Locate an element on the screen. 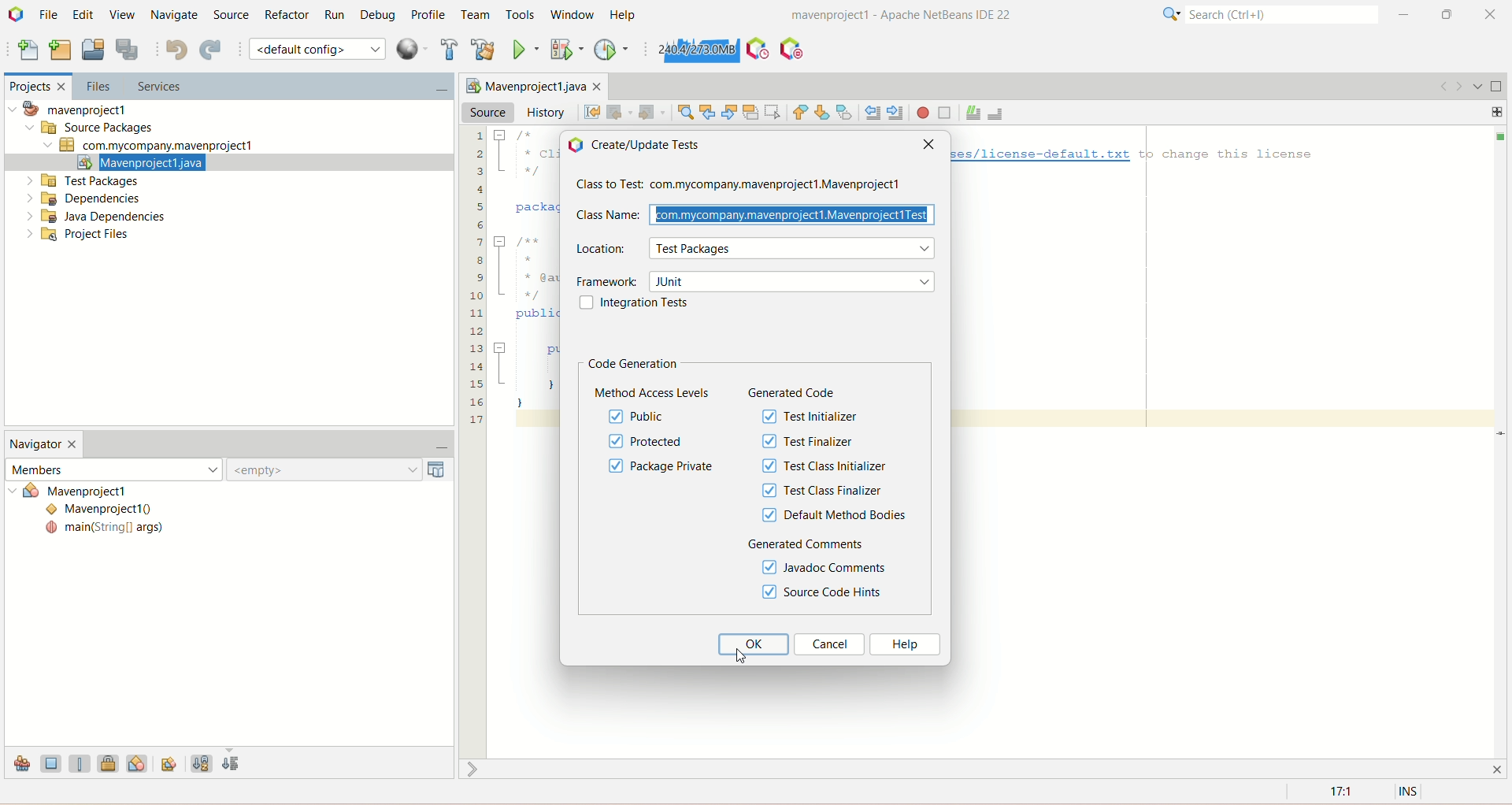  context menu is located at coordinates (412, 49).